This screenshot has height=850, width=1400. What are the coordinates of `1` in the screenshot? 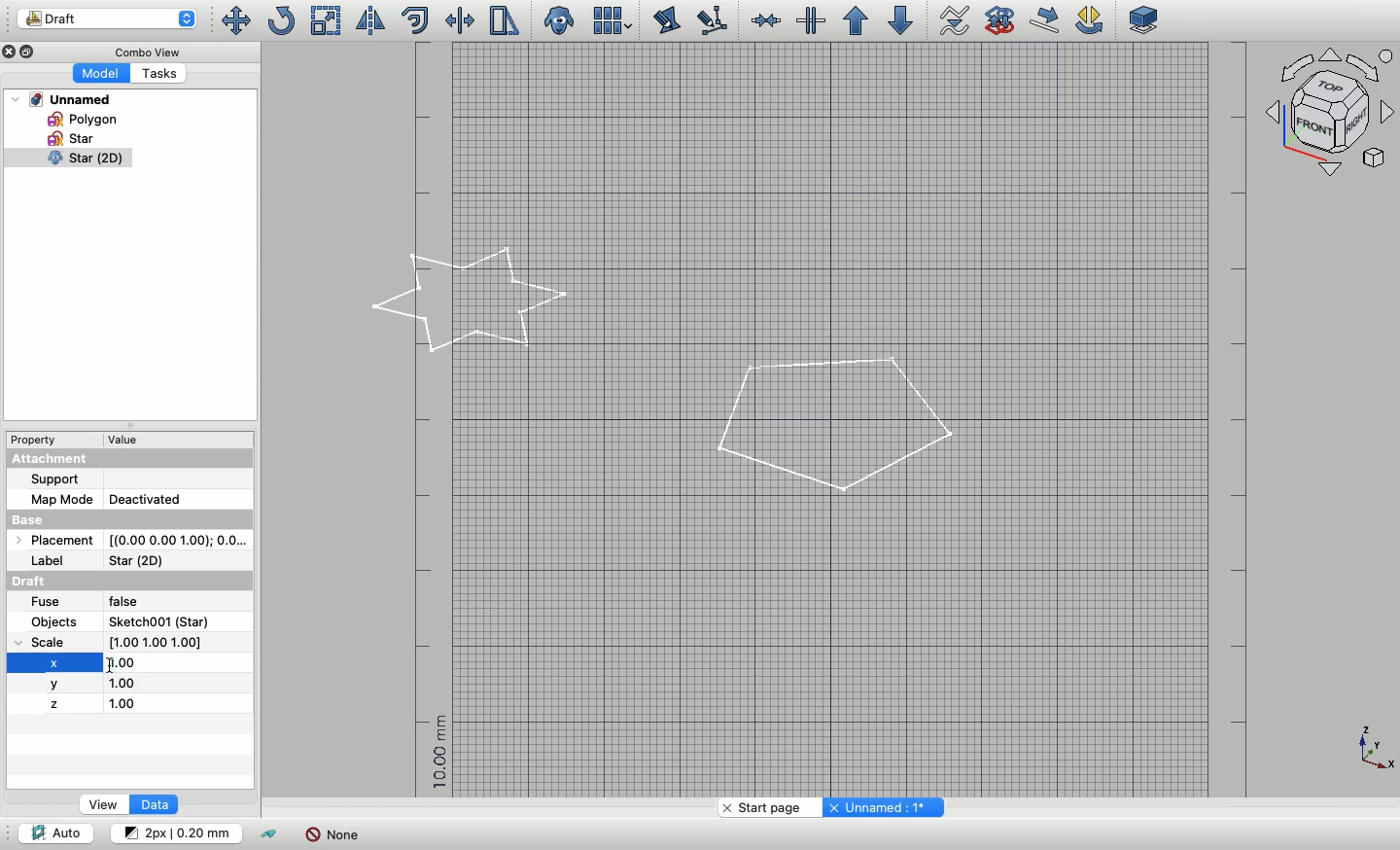 It's located at (122, 663).